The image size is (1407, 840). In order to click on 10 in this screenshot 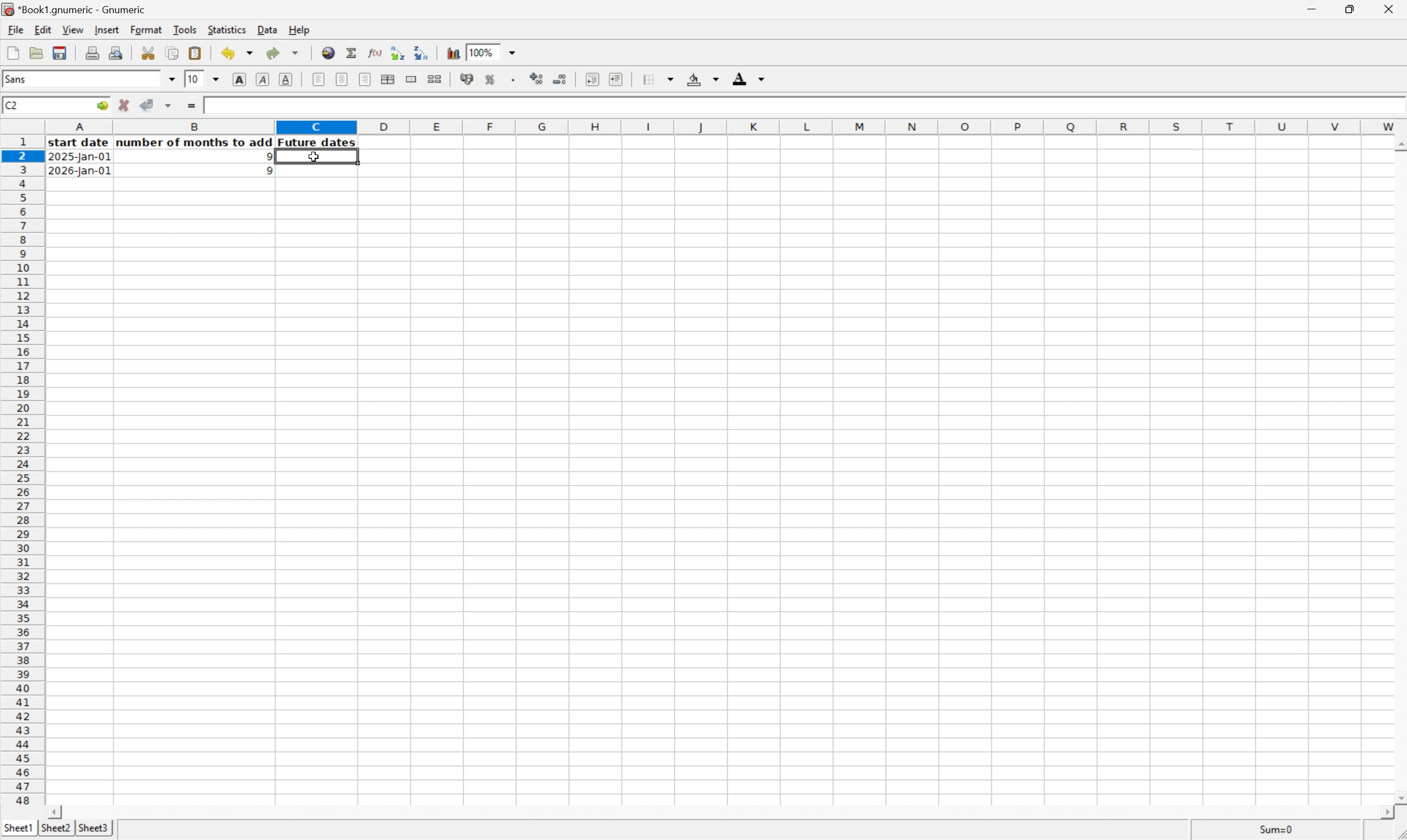, I will do `click(194, 79)`.